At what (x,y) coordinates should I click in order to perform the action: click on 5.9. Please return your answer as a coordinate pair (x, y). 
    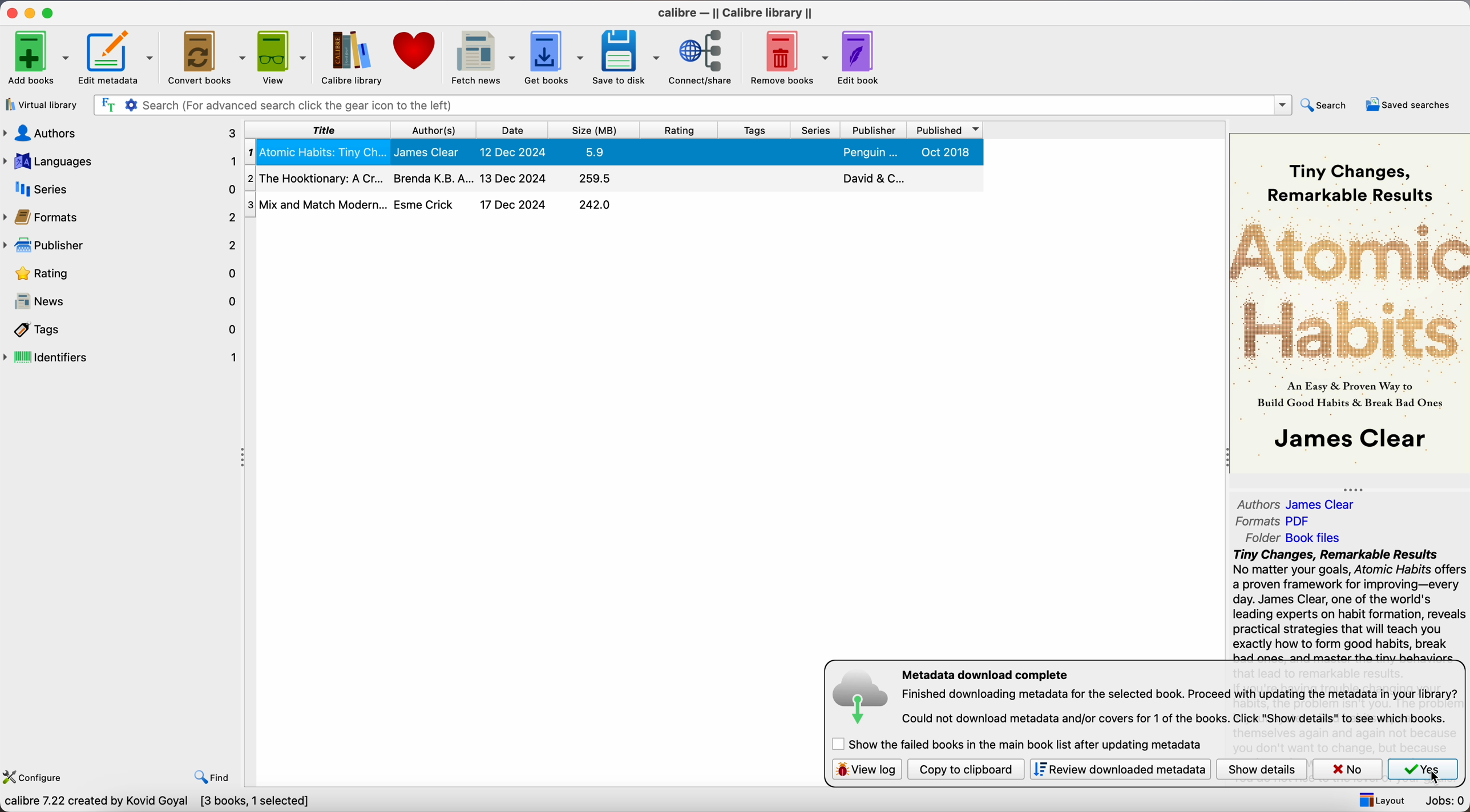
    Looking at the image, I should click on (596, 152).